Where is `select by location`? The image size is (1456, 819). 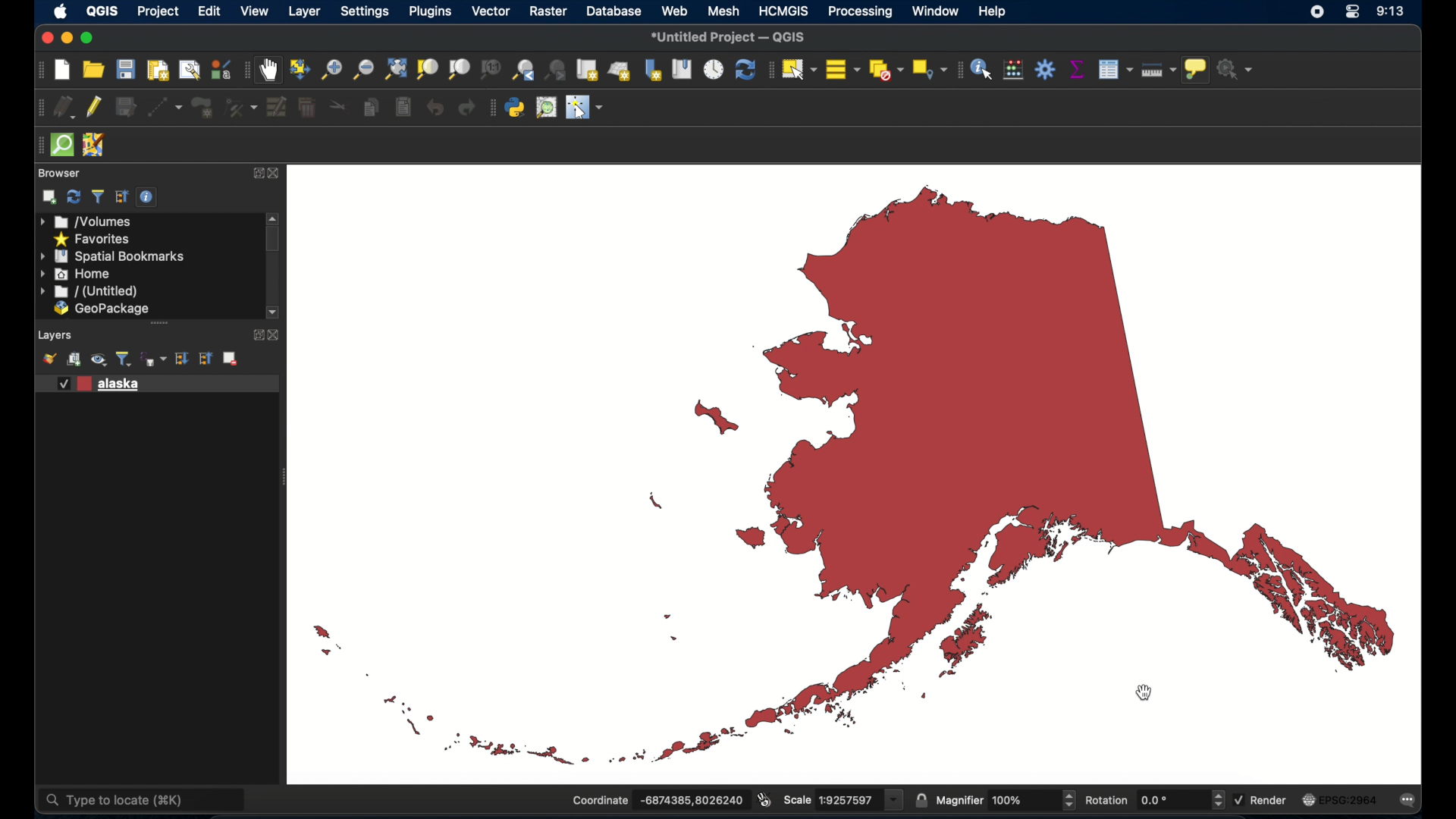 select by location is located at coordinates (930, 69).